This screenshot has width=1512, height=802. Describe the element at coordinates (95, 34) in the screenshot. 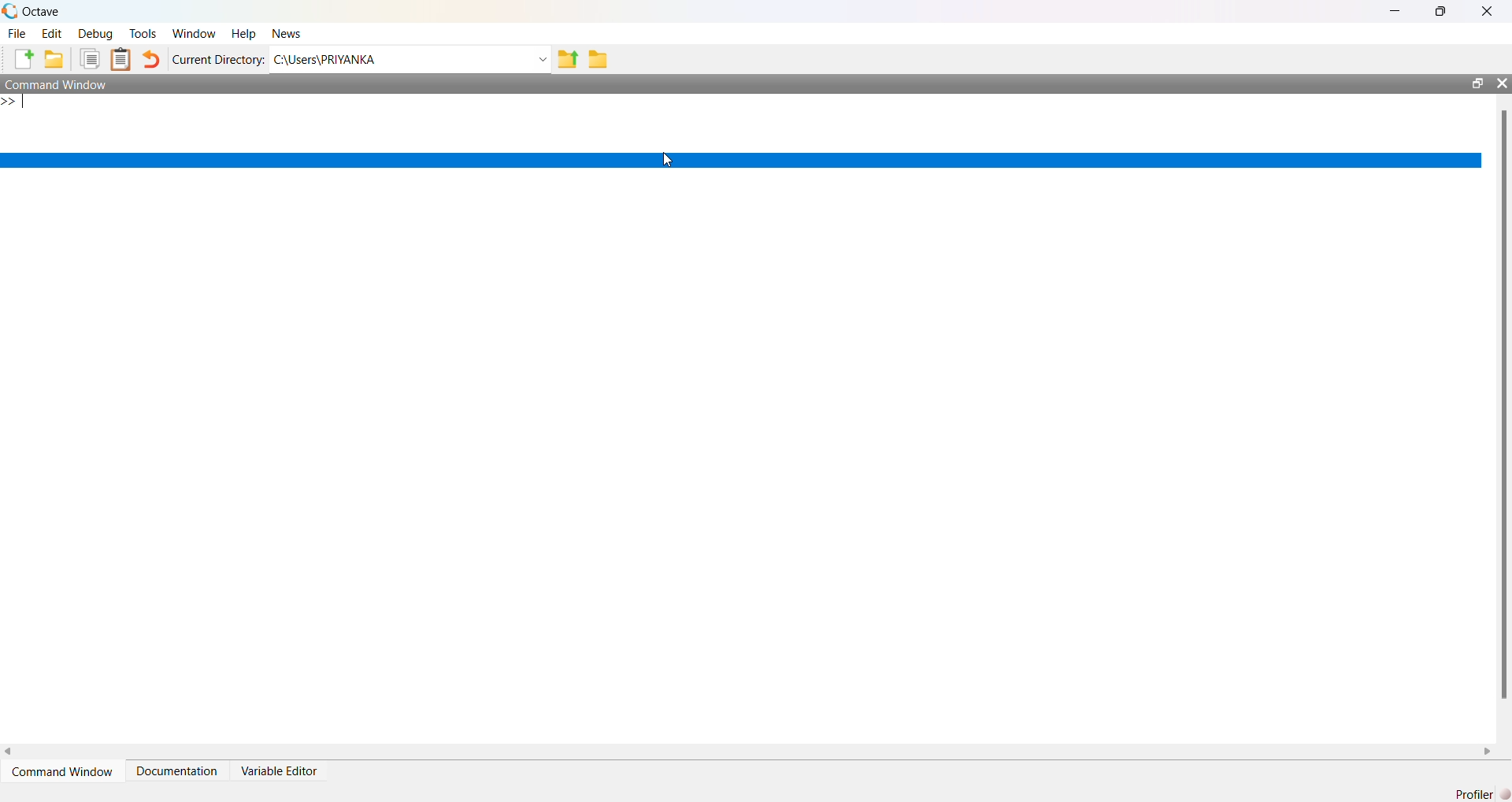

I see `Debug` at that location.